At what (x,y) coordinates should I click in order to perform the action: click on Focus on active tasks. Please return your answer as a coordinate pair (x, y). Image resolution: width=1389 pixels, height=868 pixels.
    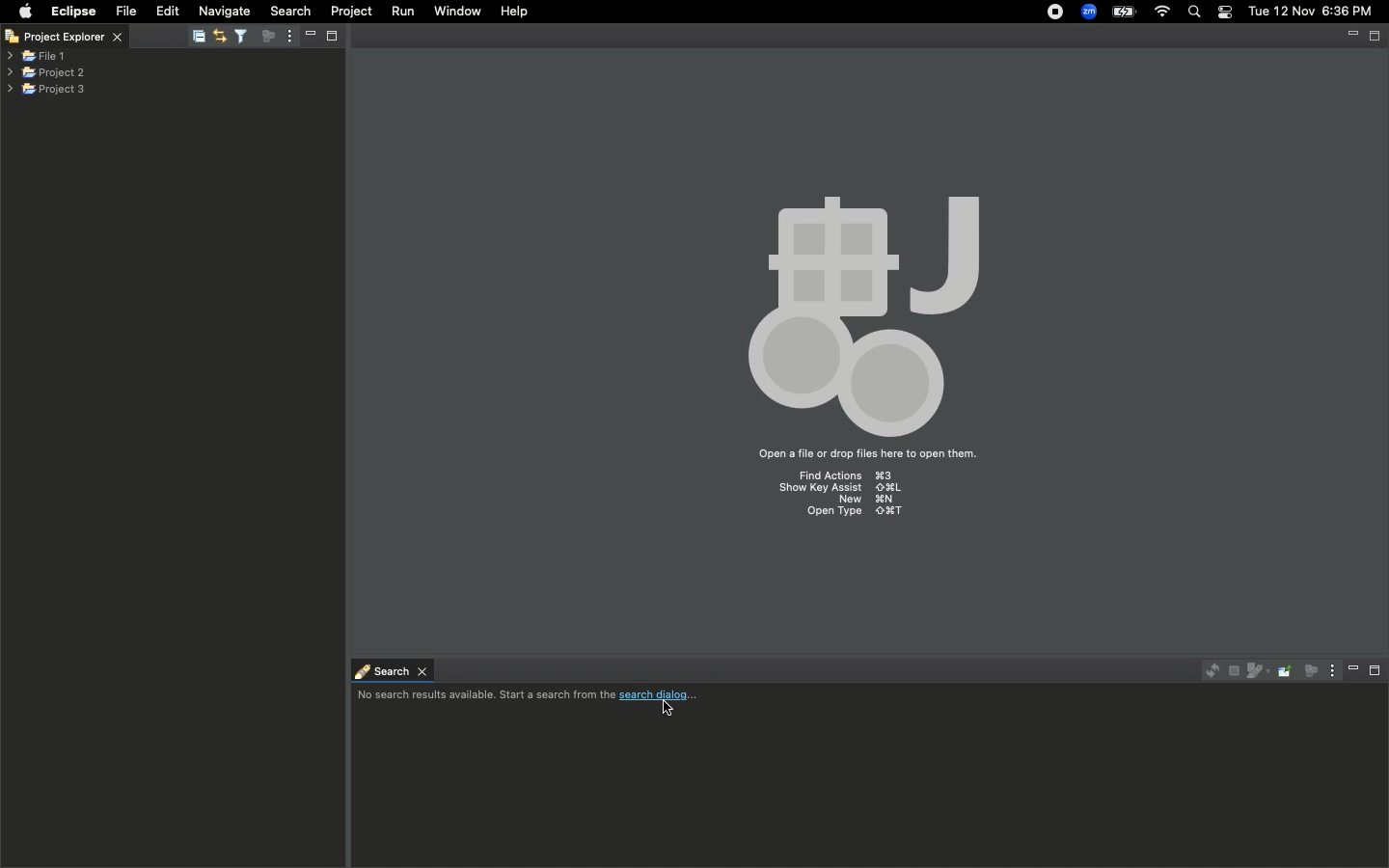
    Looking at the image, I should click on (1309, 670).